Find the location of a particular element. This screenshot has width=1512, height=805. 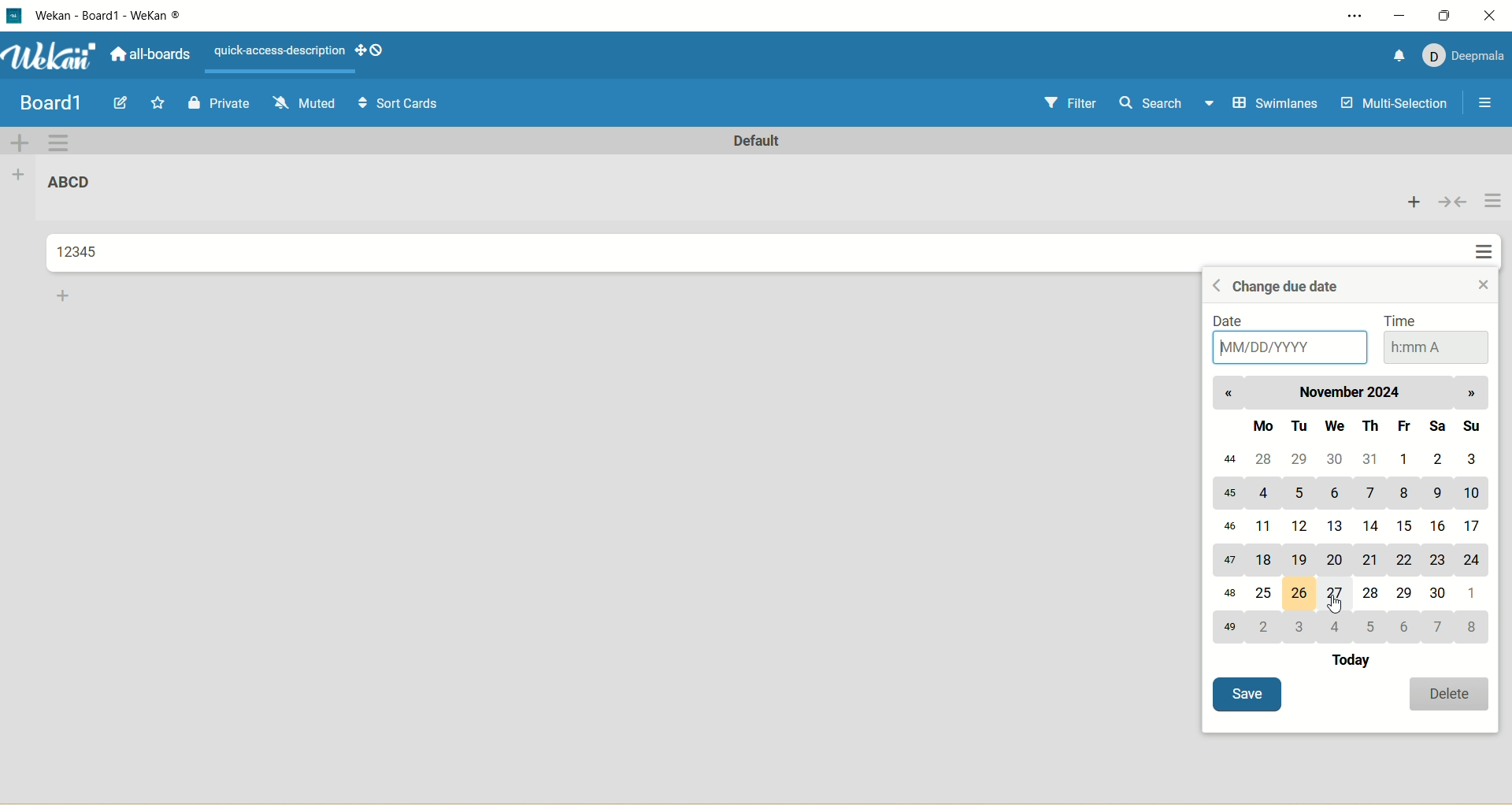

board1 is located at coordinates (50, 104).